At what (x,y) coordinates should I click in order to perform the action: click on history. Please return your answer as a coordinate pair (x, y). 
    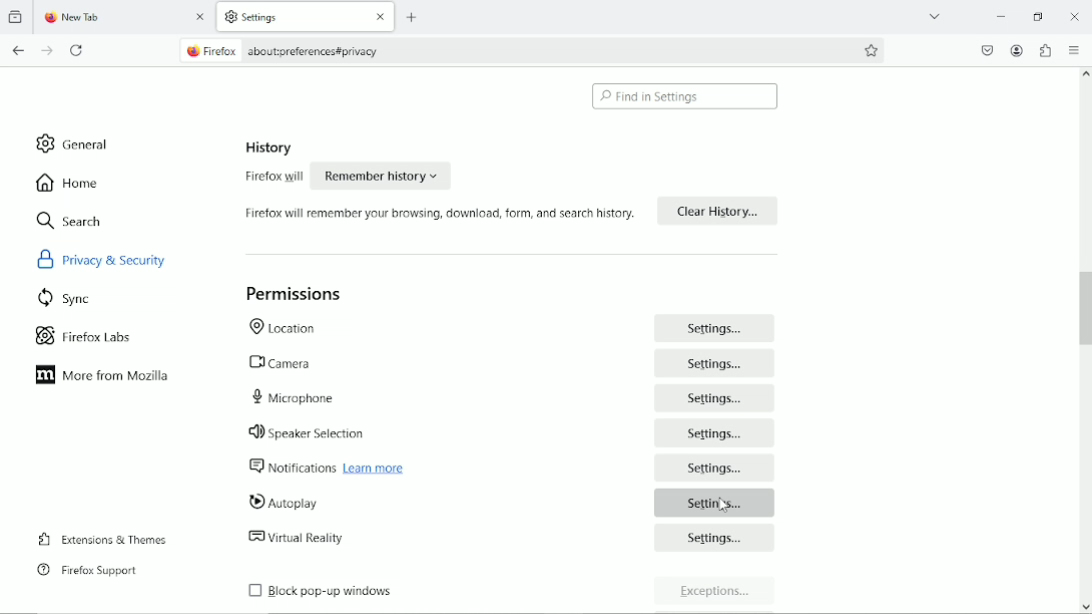
    Looking at the image, I should click on (268, 148).